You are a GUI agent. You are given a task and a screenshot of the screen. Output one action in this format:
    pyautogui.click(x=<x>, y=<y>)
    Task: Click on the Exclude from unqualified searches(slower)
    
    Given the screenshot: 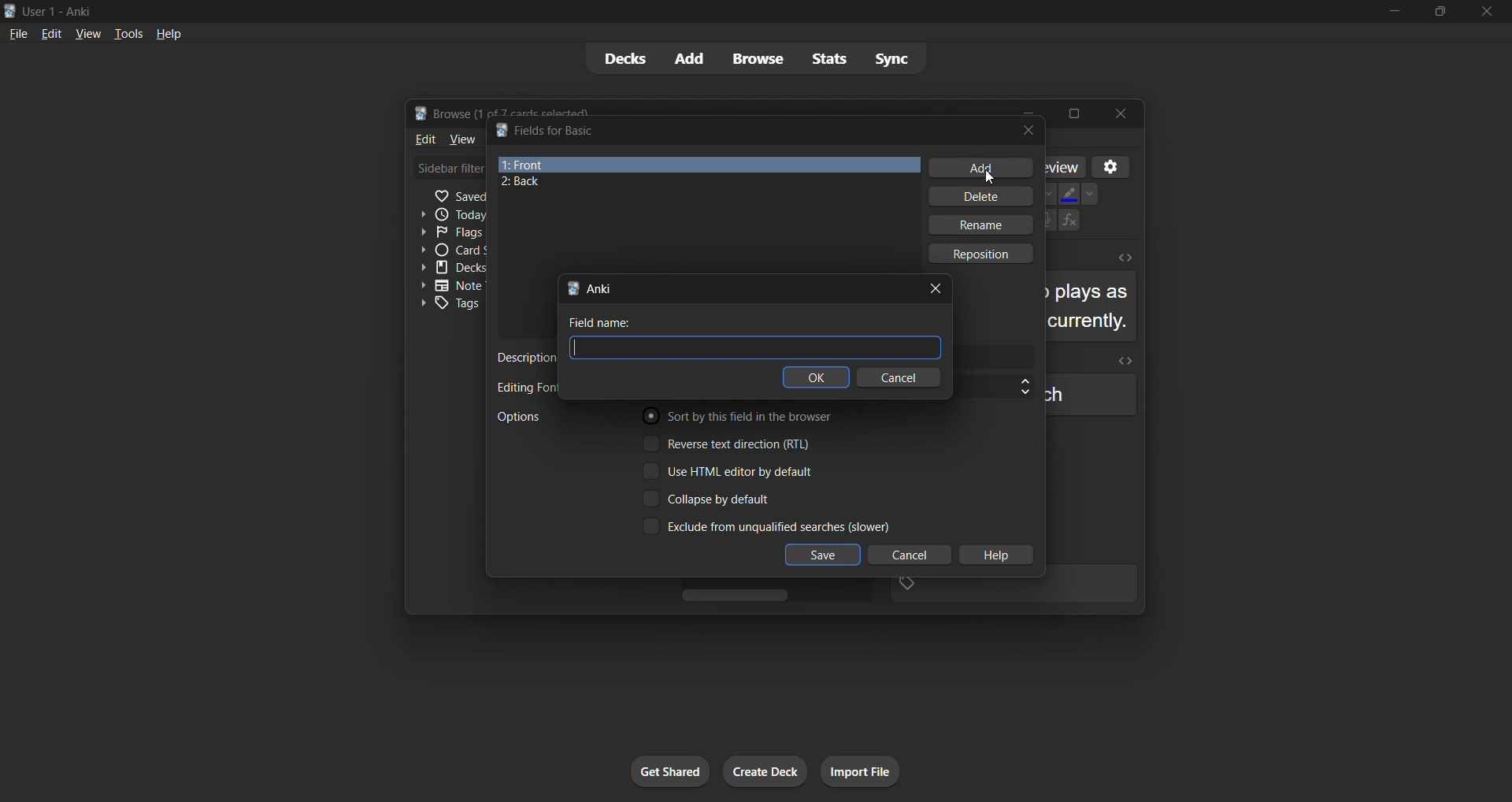 What is the action you would take?
    pyautogui.click(x=762, y=527)
    